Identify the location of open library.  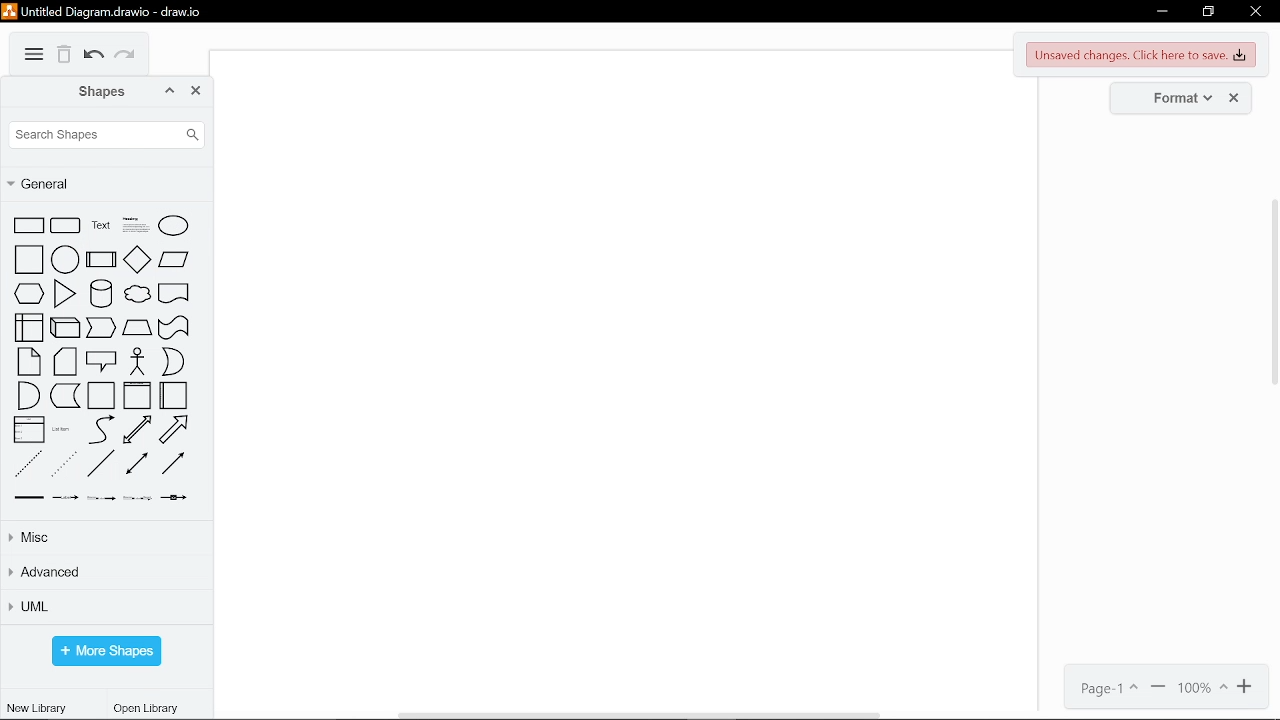
(149, 709).